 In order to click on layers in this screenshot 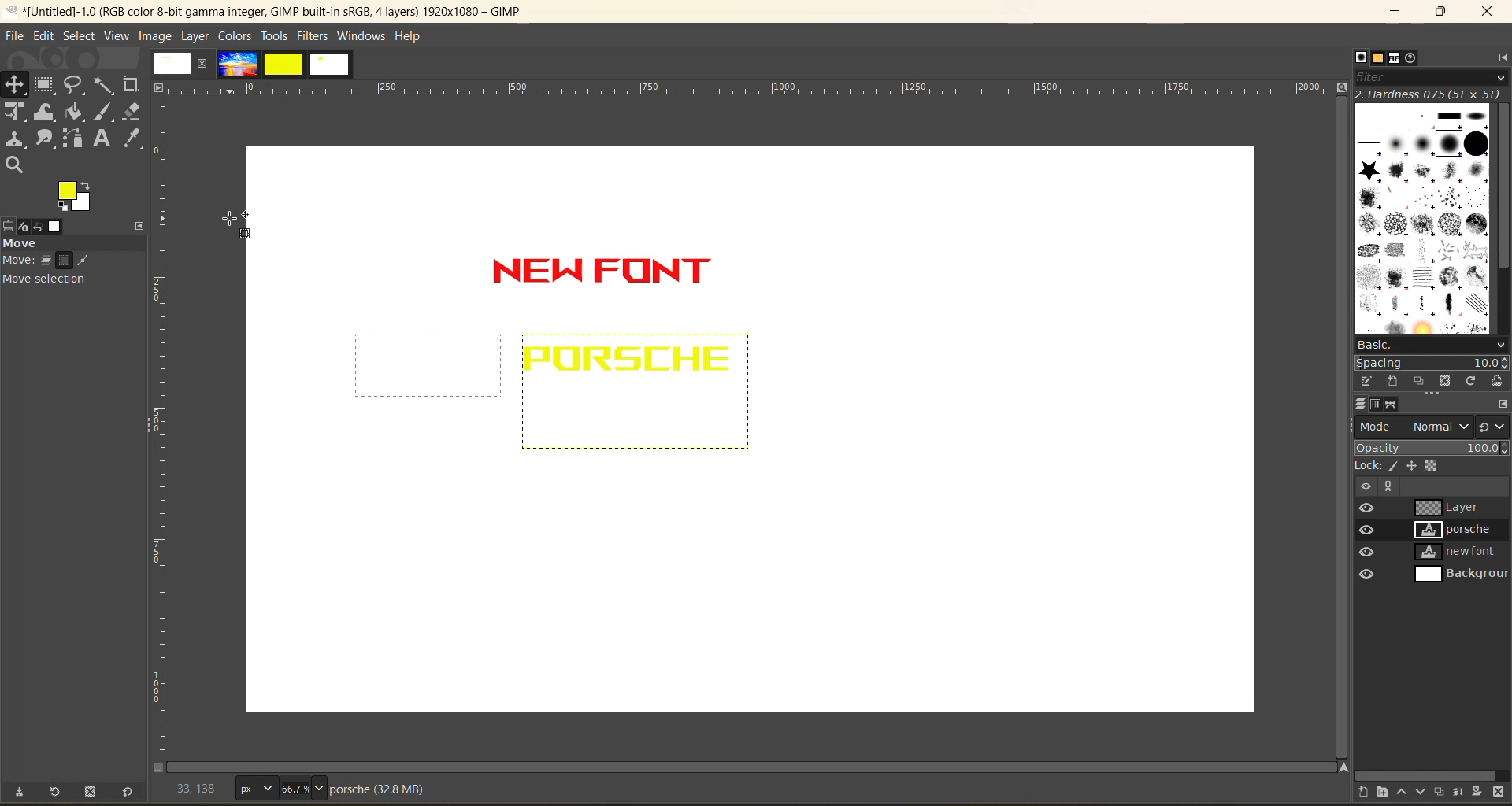, I will do `click(1461, 542)`.